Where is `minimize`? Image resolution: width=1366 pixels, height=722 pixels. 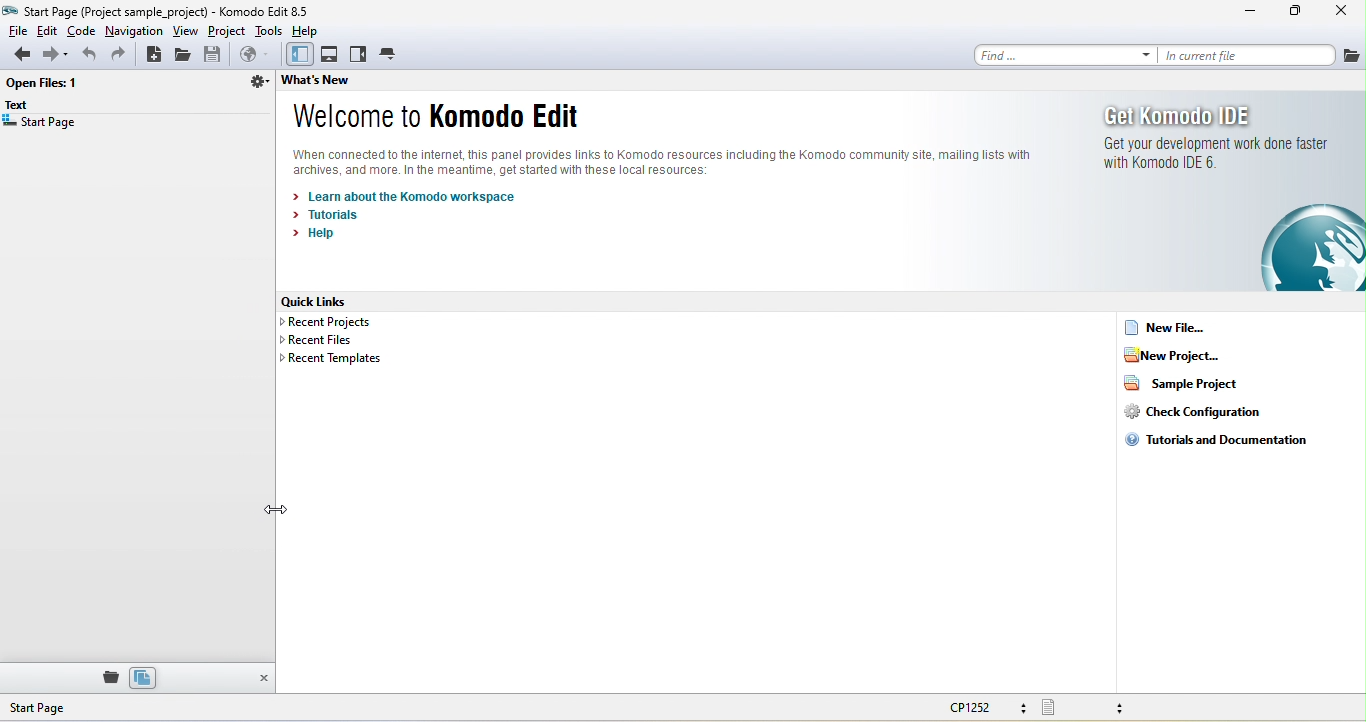
minimize is located at coordinates (1251, 14).